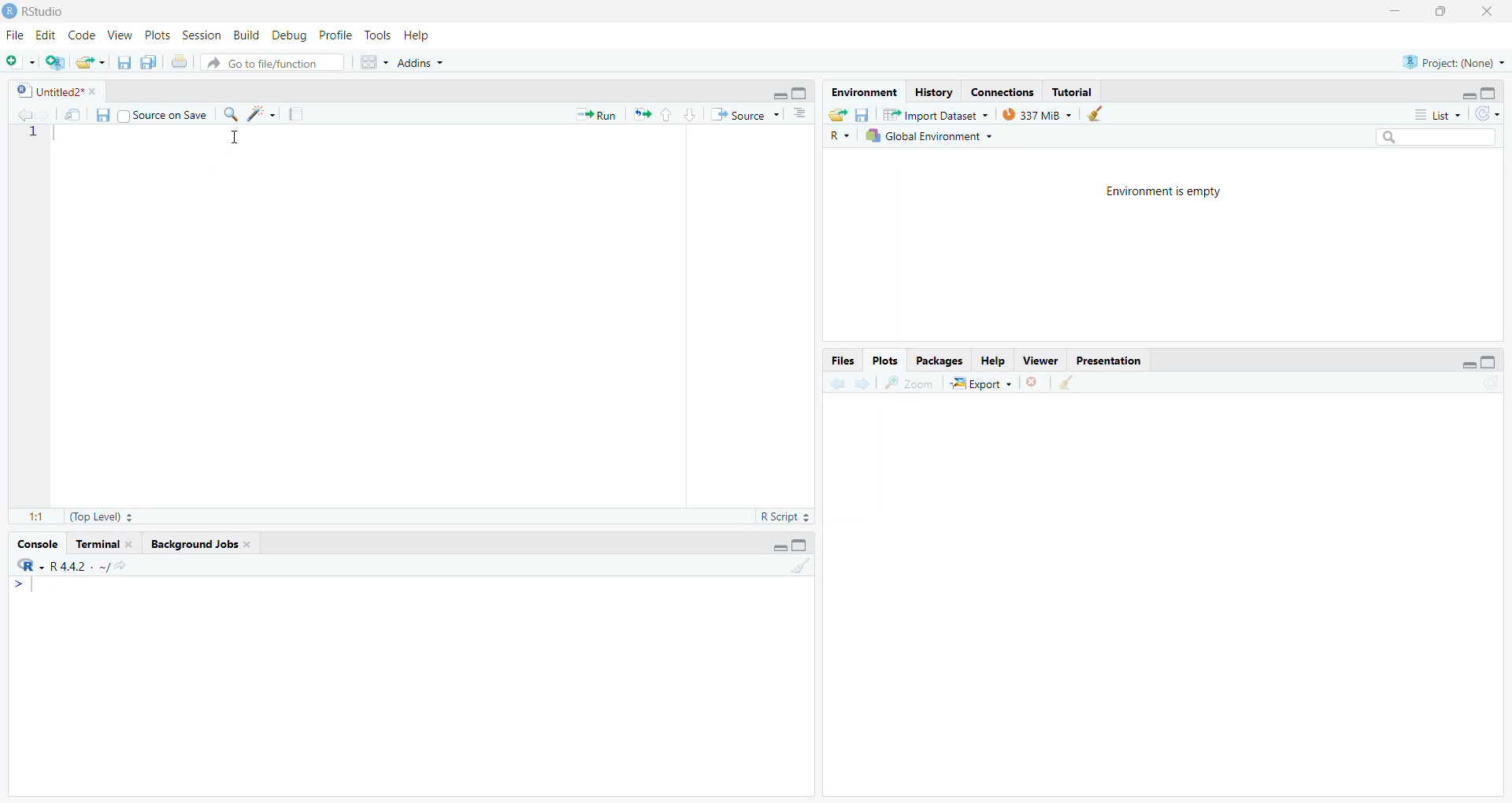 This screenshot has width=1512, height=803. What do you see at coordinates (1390, 12) in the screenshot?
I see `minimize` at bounding box center [1390, 12].